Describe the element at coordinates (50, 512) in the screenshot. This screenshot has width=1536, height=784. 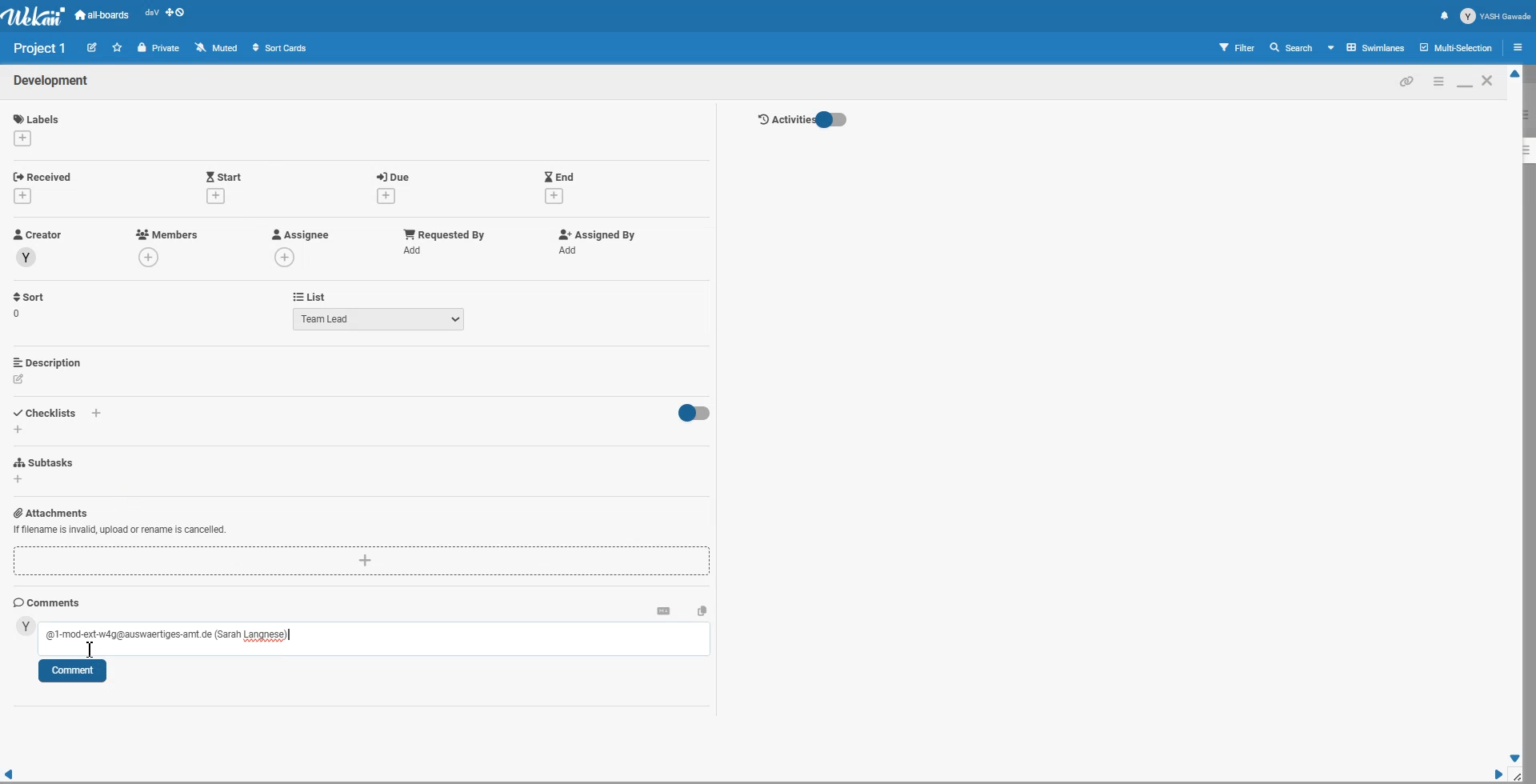
I see `Add Attachments` at that location.